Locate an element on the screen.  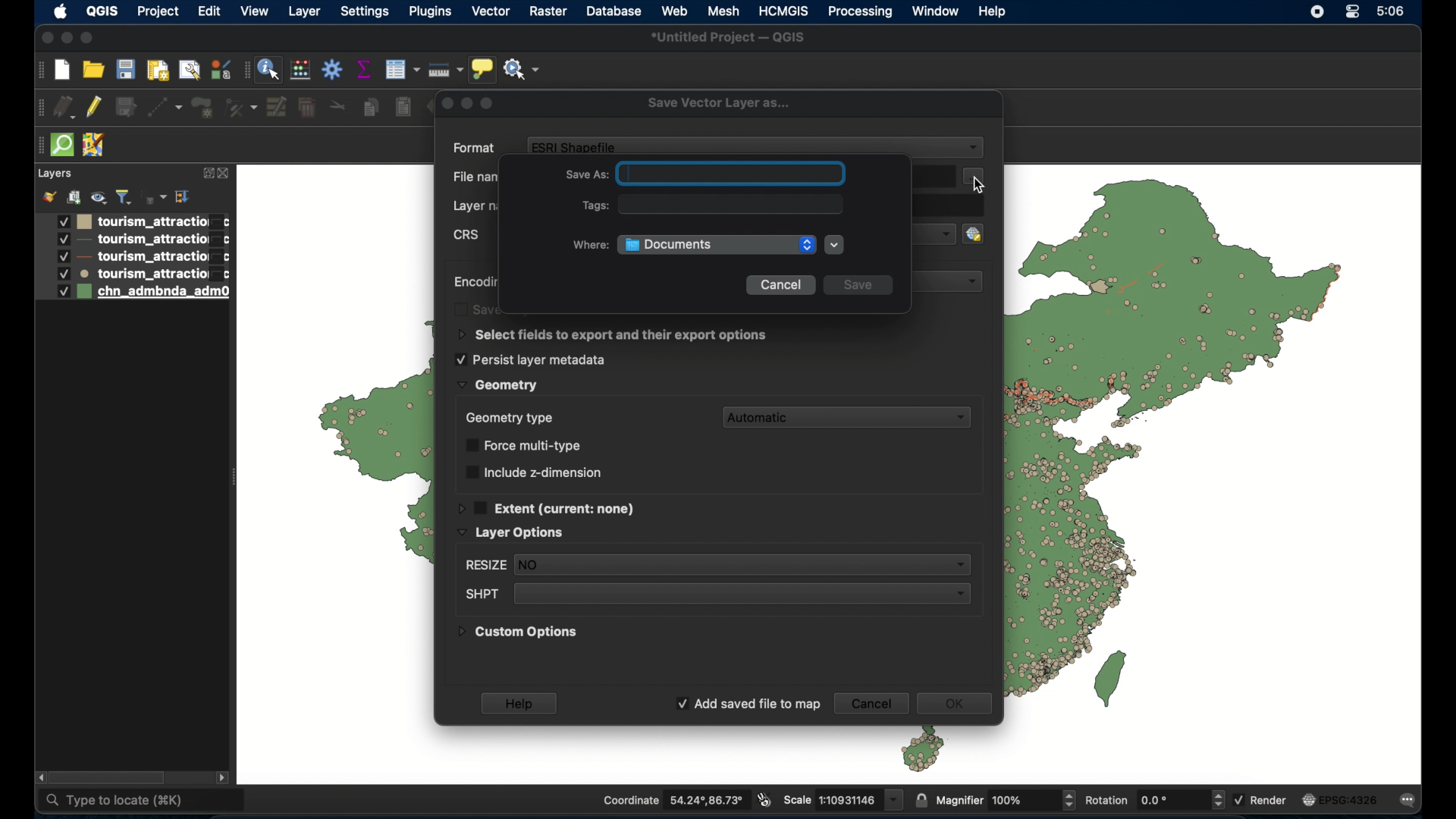
plugins is located at coordinates (432, 12).